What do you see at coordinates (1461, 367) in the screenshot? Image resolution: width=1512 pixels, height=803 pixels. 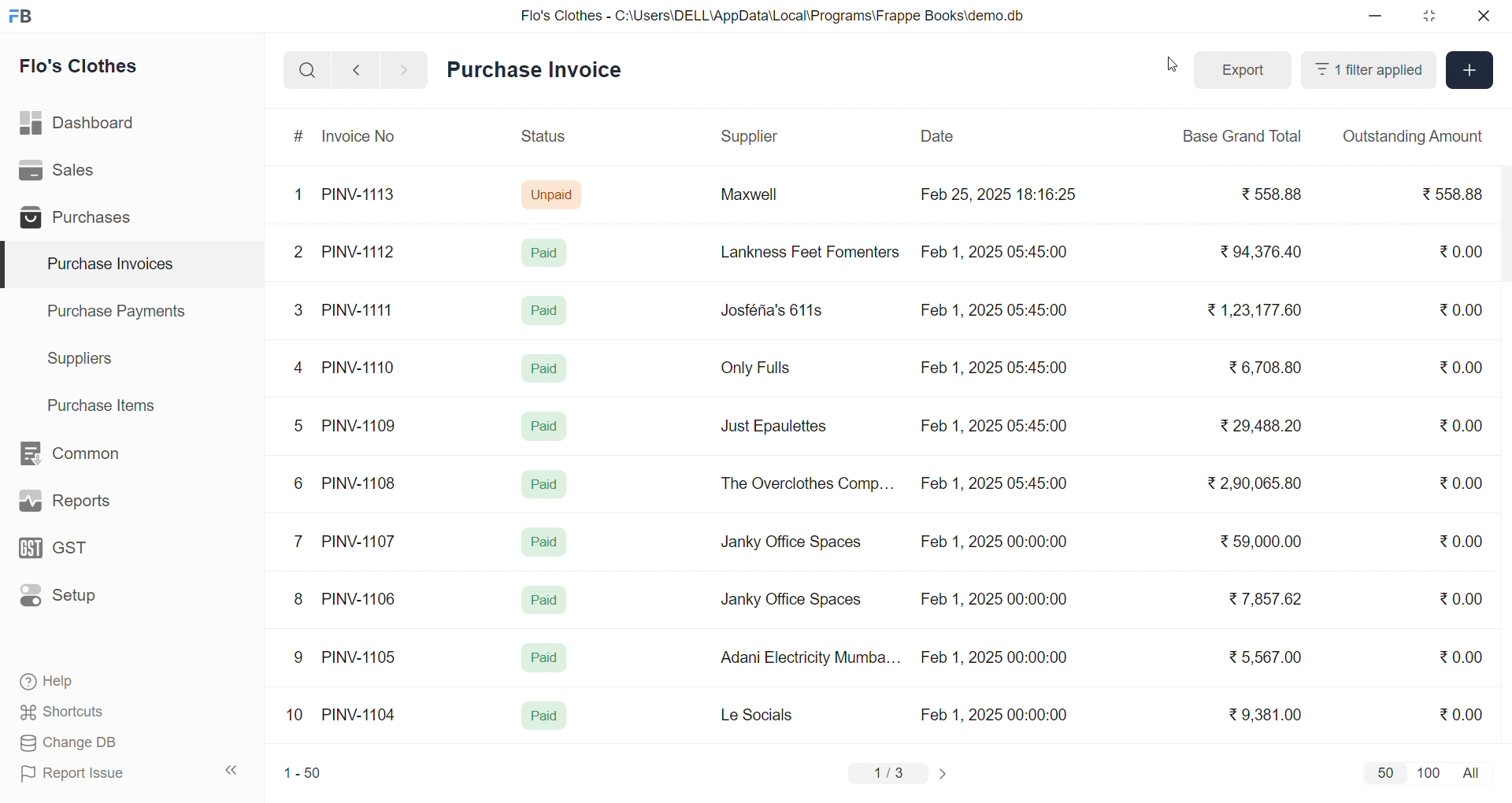 I see `₹0.00` at bounding box center [1461, 367].